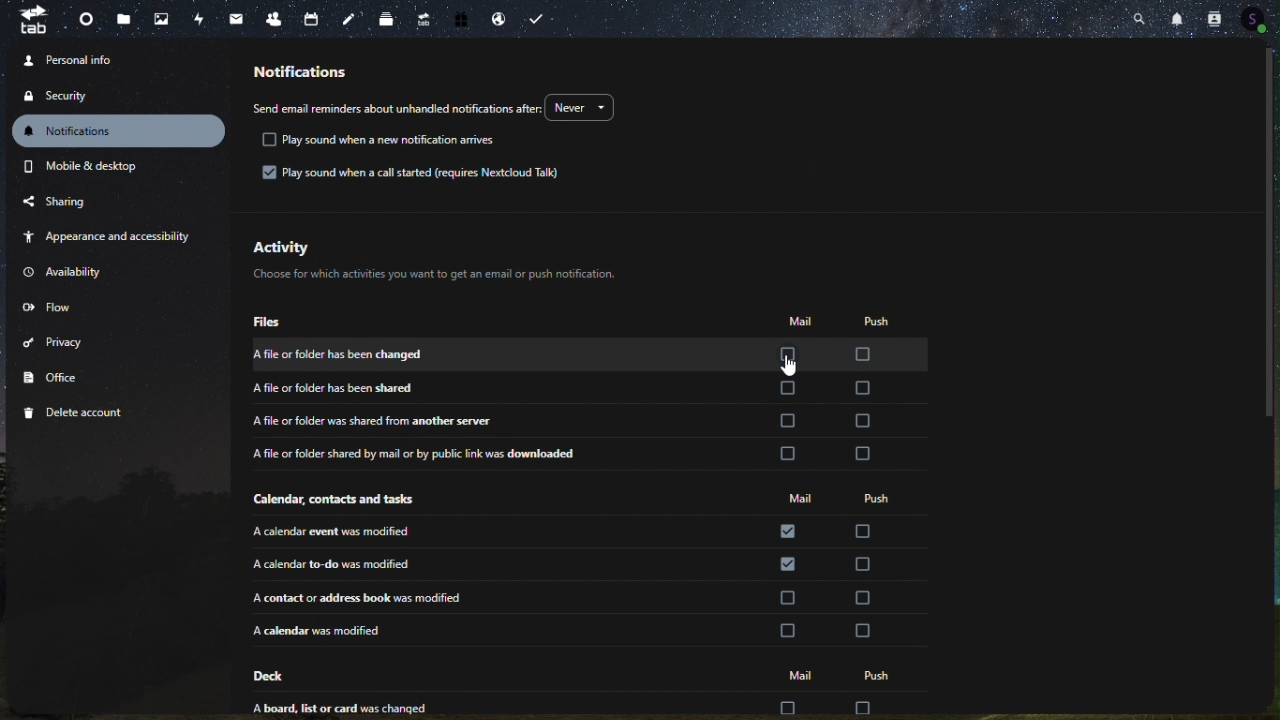 The width and height of the screenshot is (1280, 720). I want to click on check box, so click(864, 632).